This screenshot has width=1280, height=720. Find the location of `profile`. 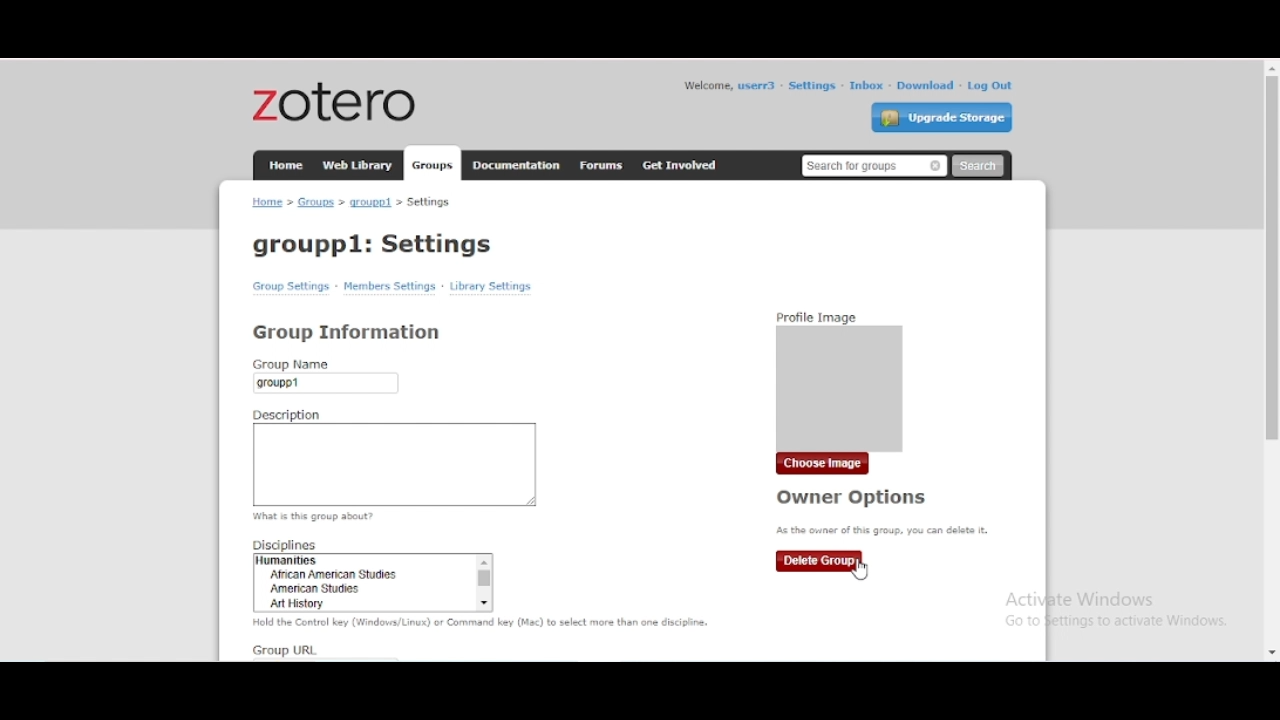

profile is located at coordinates (758, 85).